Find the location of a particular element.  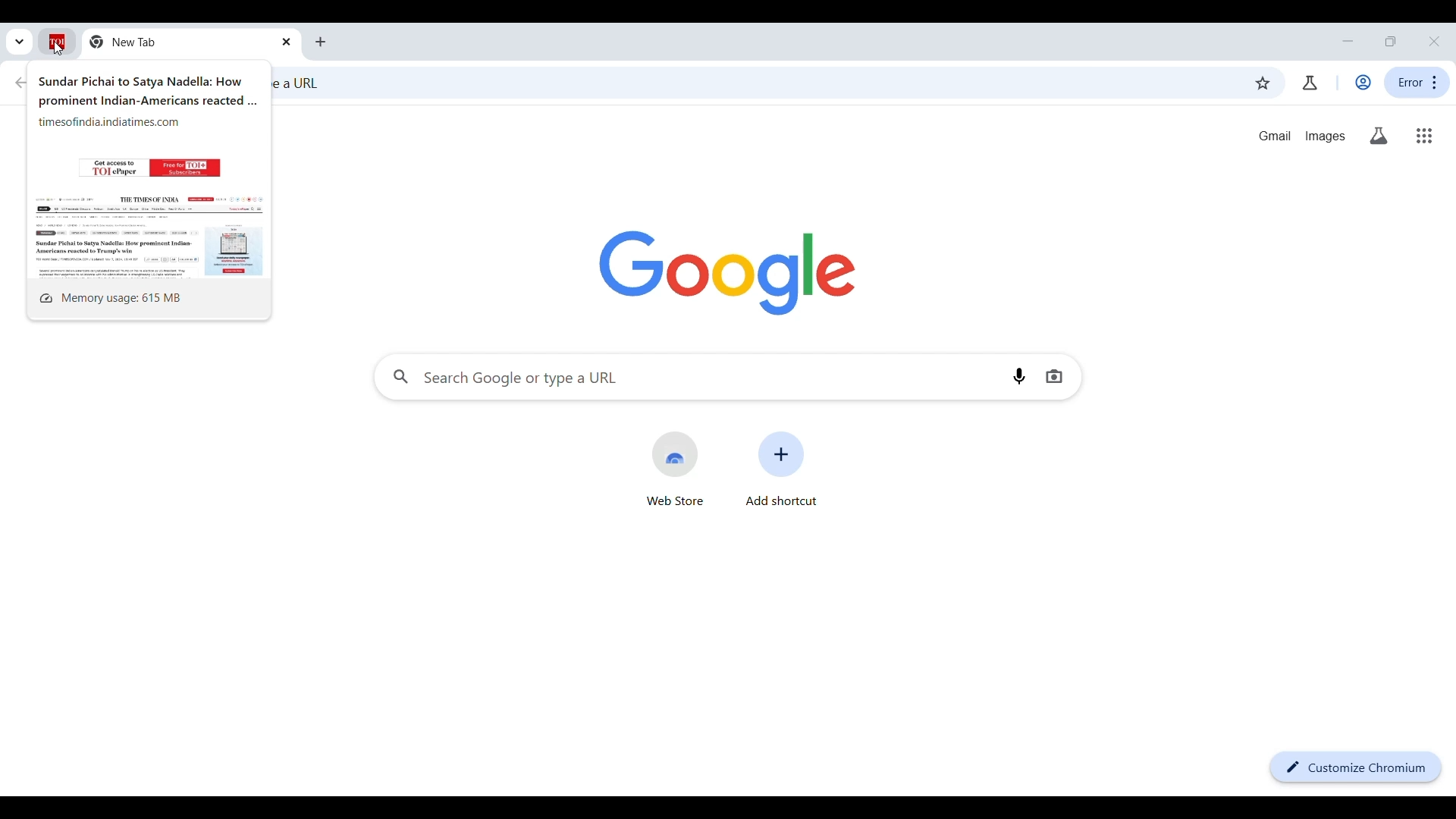

Customize and control Chromium is located at coordinates (1417, 82).